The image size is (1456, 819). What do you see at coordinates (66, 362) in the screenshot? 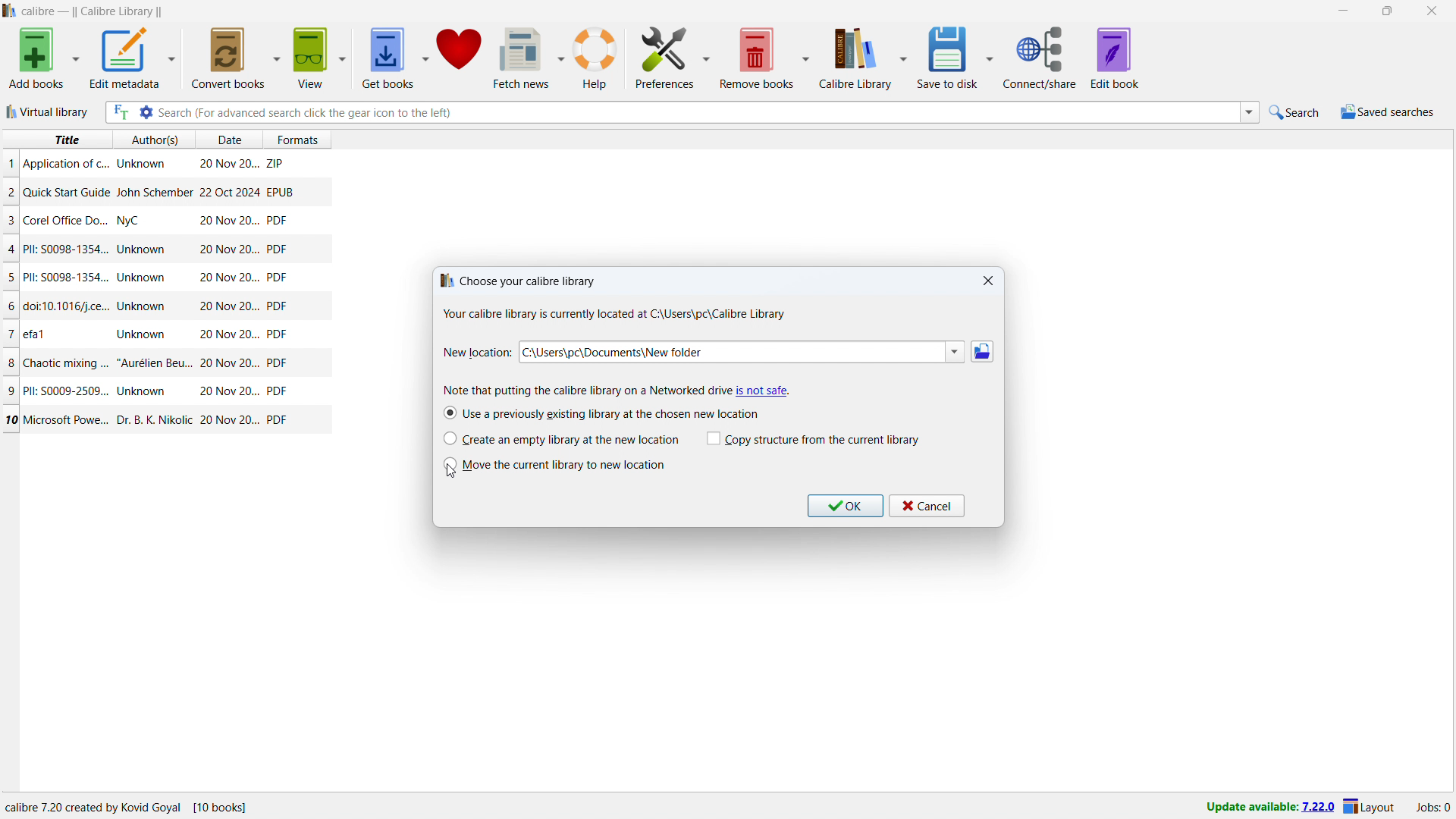
I see `Title` at bounding box center [66, 362].